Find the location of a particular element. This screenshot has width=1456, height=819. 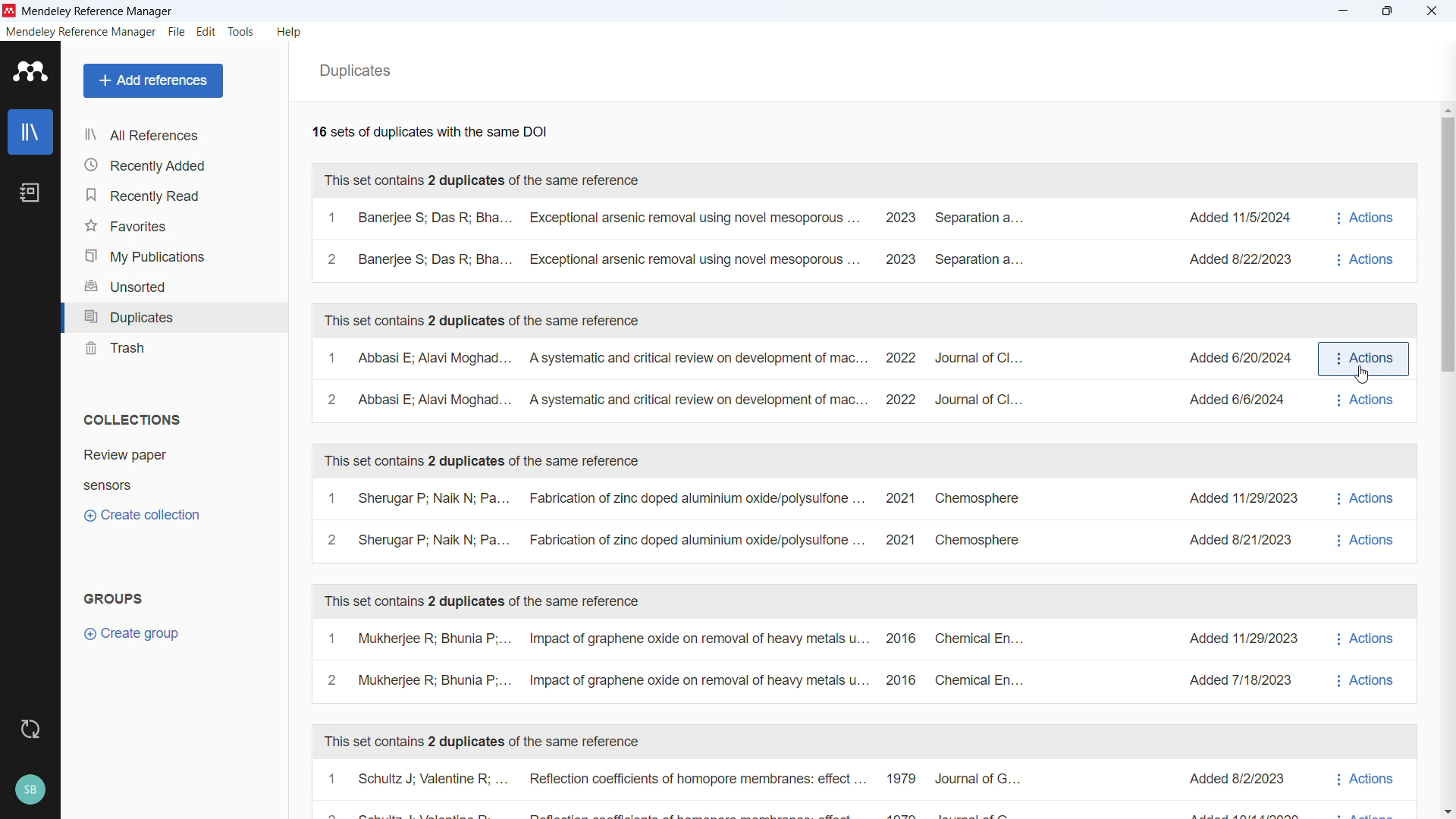

Collection 1  is located at coordinates (127, 455).